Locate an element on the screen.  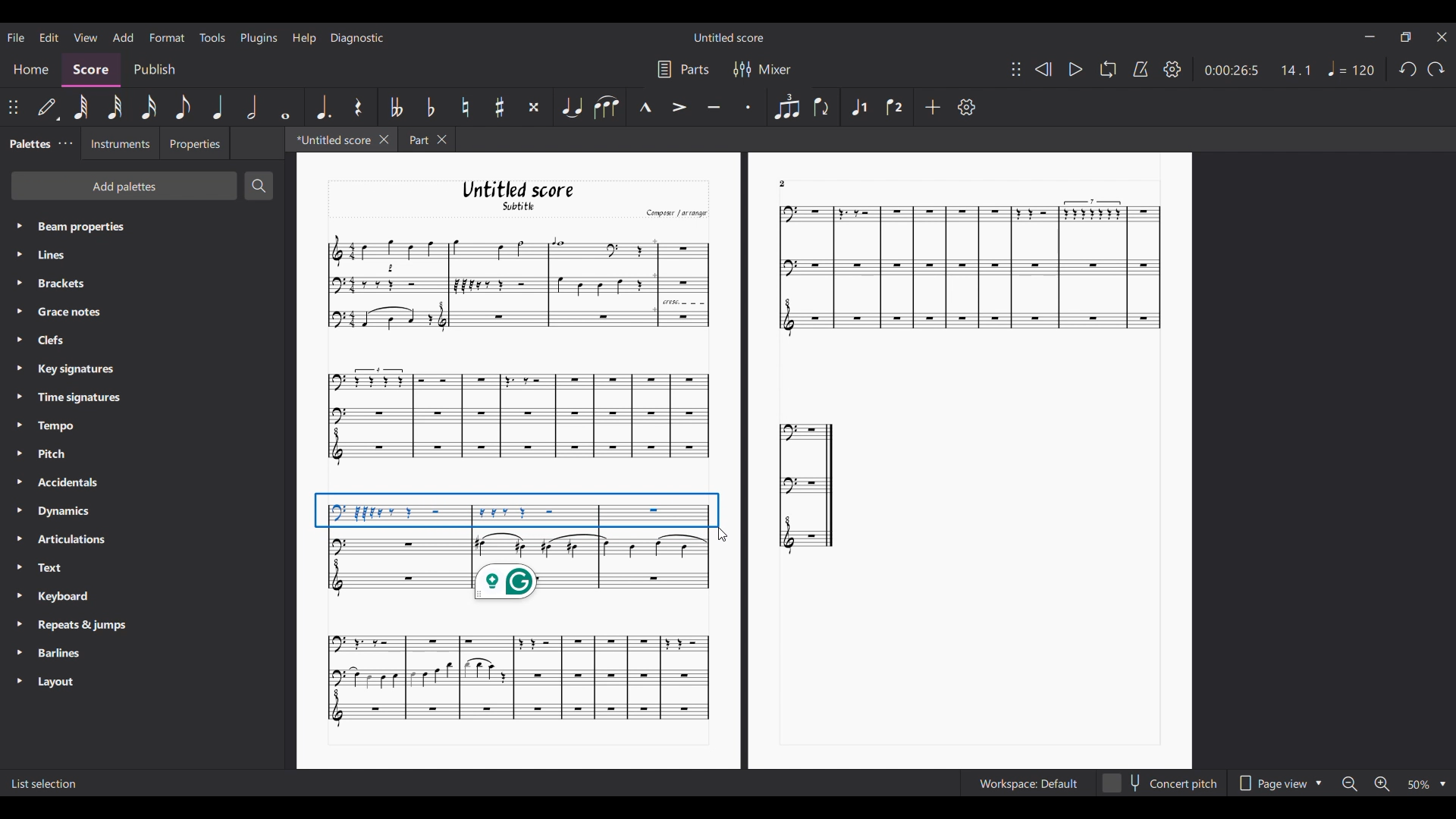
Add menu is located at coordinates (122, 36).